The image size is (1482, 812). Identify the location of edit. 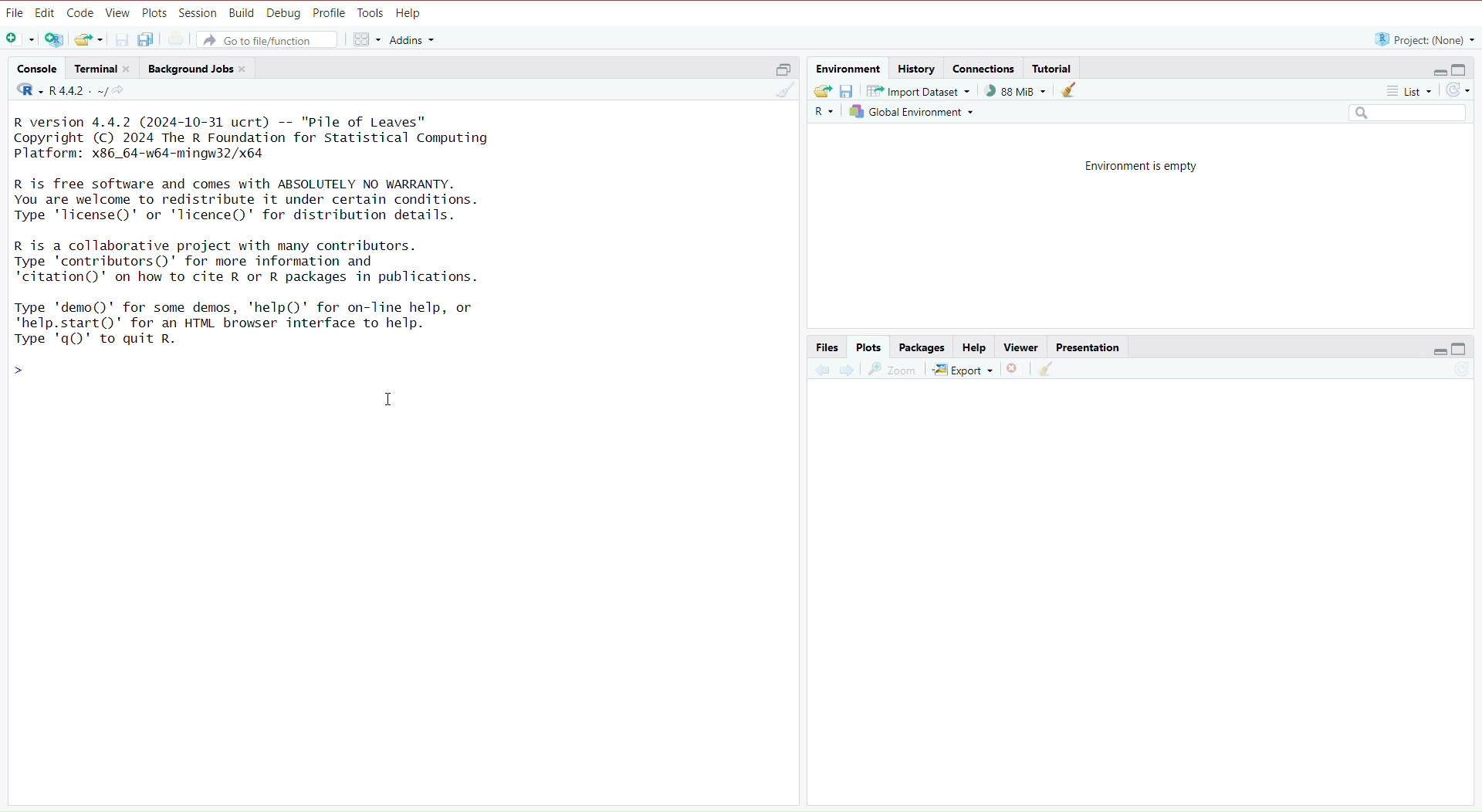
(45, 13).